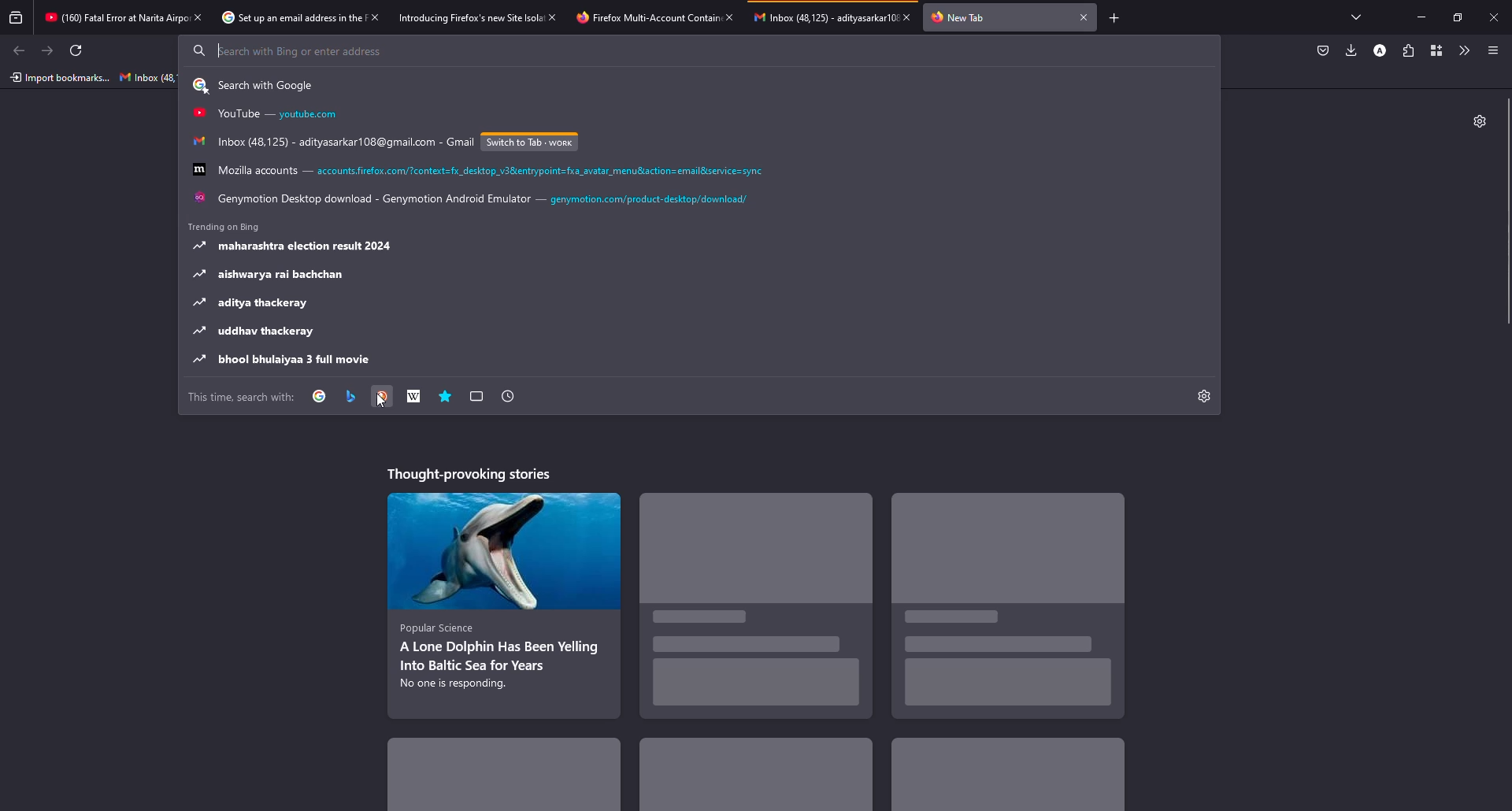  I want to click on search options, so click(270, 115).